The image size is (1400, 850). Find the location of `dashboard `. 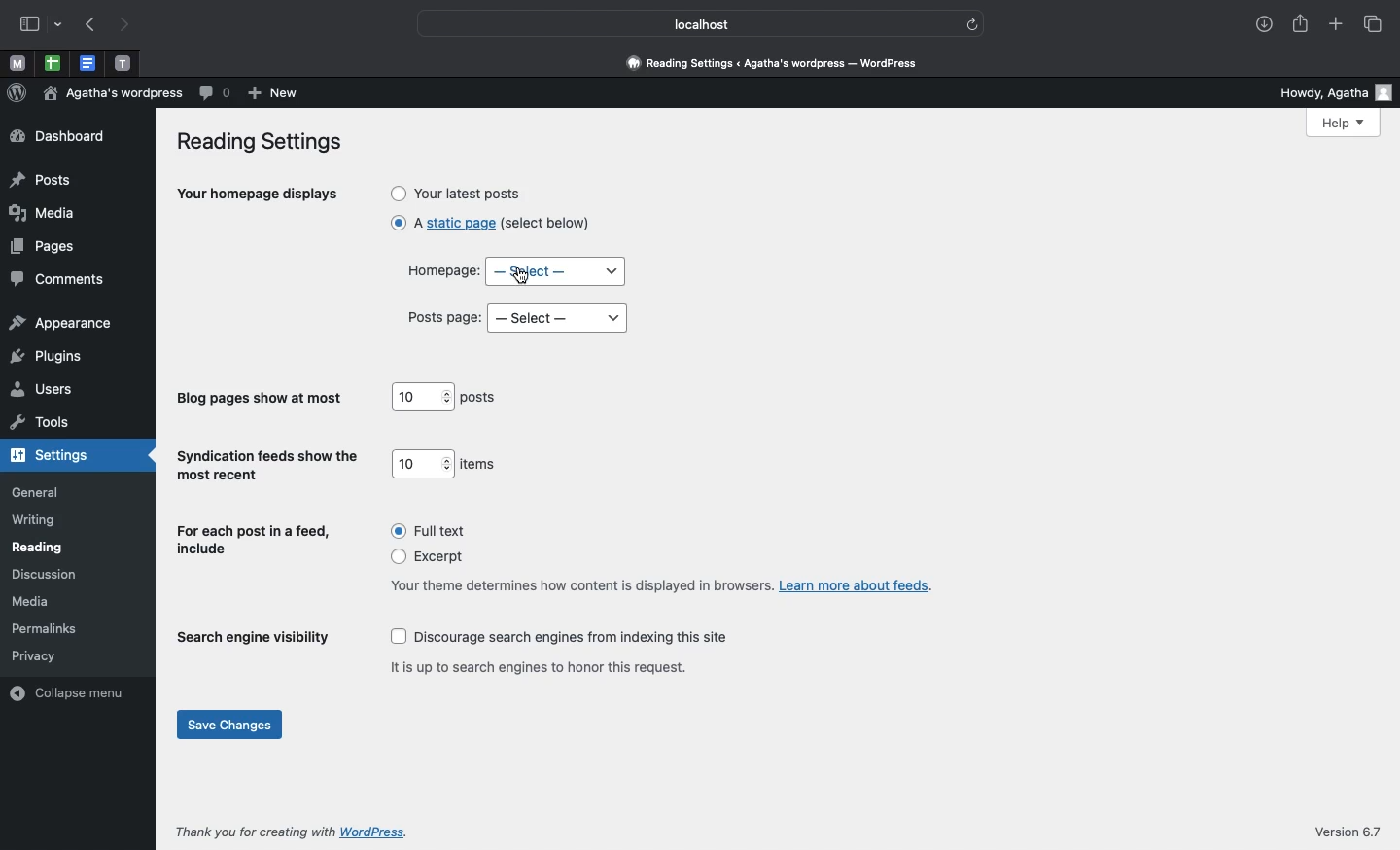

dashboard  is located at coordinates (57, 136).